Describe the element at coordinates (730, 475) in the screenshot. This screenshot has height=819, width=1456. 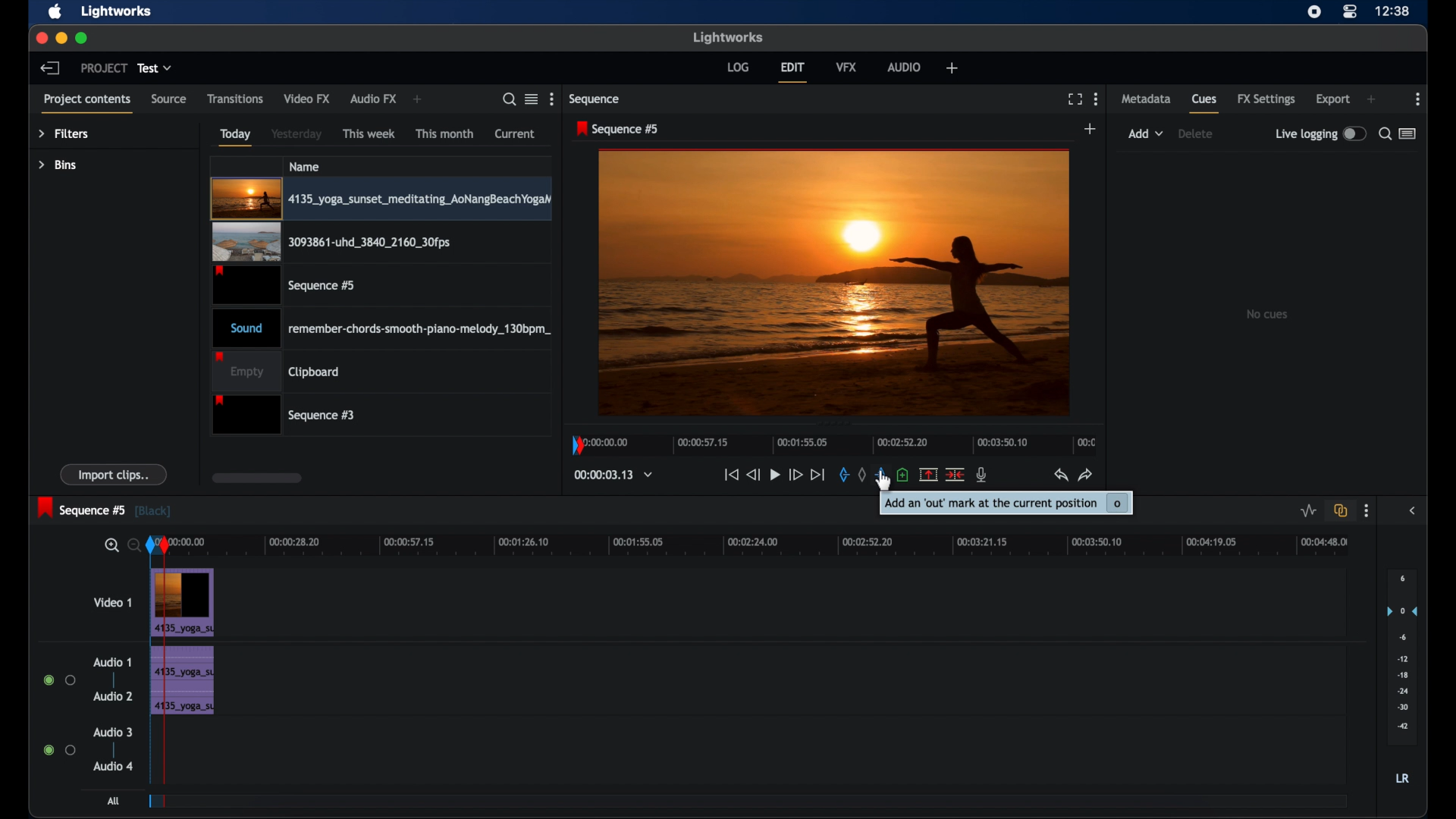
I see `jump to  start` at that location.